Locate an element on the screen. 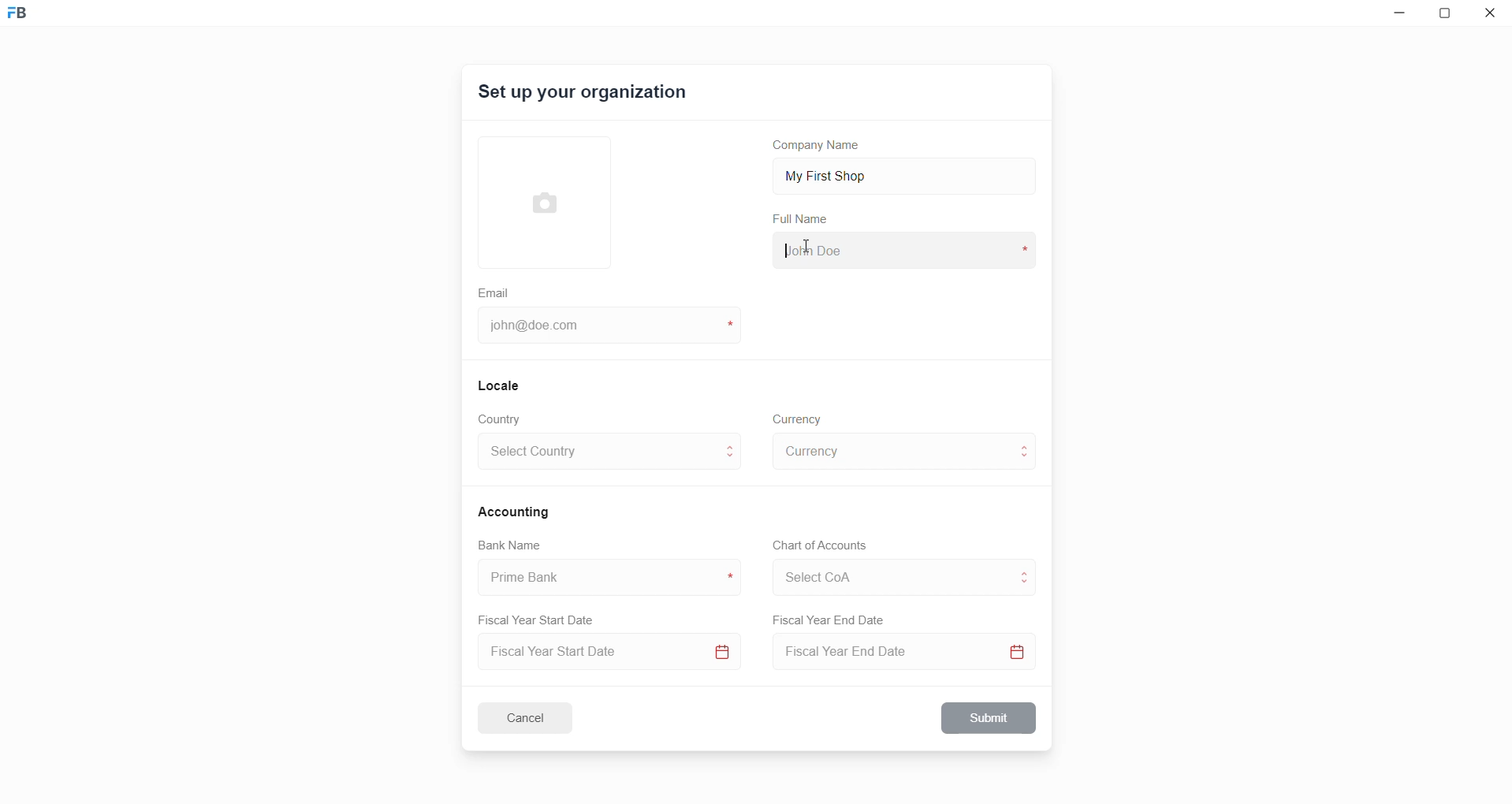 Image resolution: width=1512 pixels, height=804 pixels. Select Fiscal Year End Date is located at coordinates (909, 655).